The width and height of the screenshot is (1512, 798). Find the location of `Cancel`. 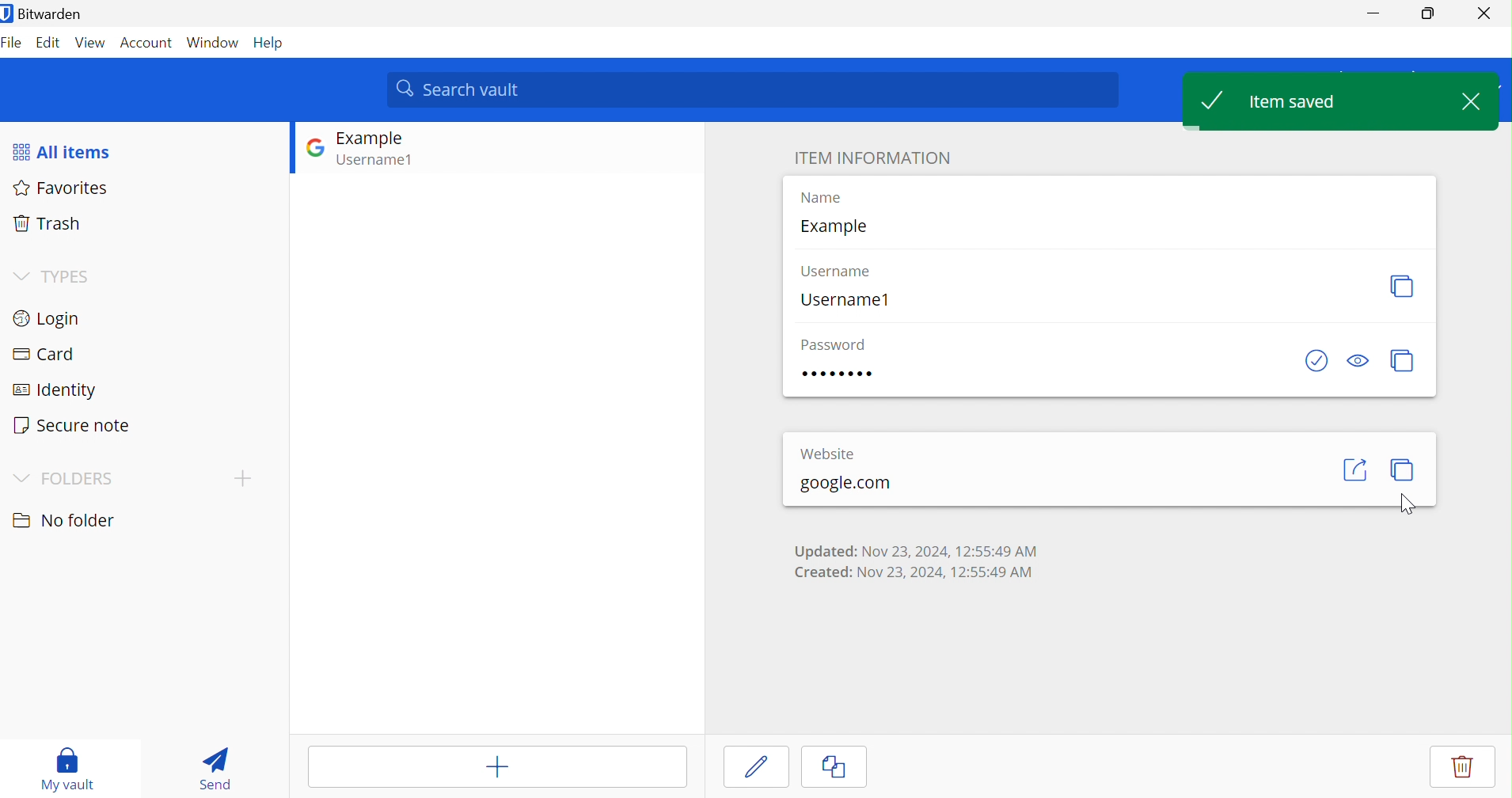

Cancel is located at coordinates (845, 768).